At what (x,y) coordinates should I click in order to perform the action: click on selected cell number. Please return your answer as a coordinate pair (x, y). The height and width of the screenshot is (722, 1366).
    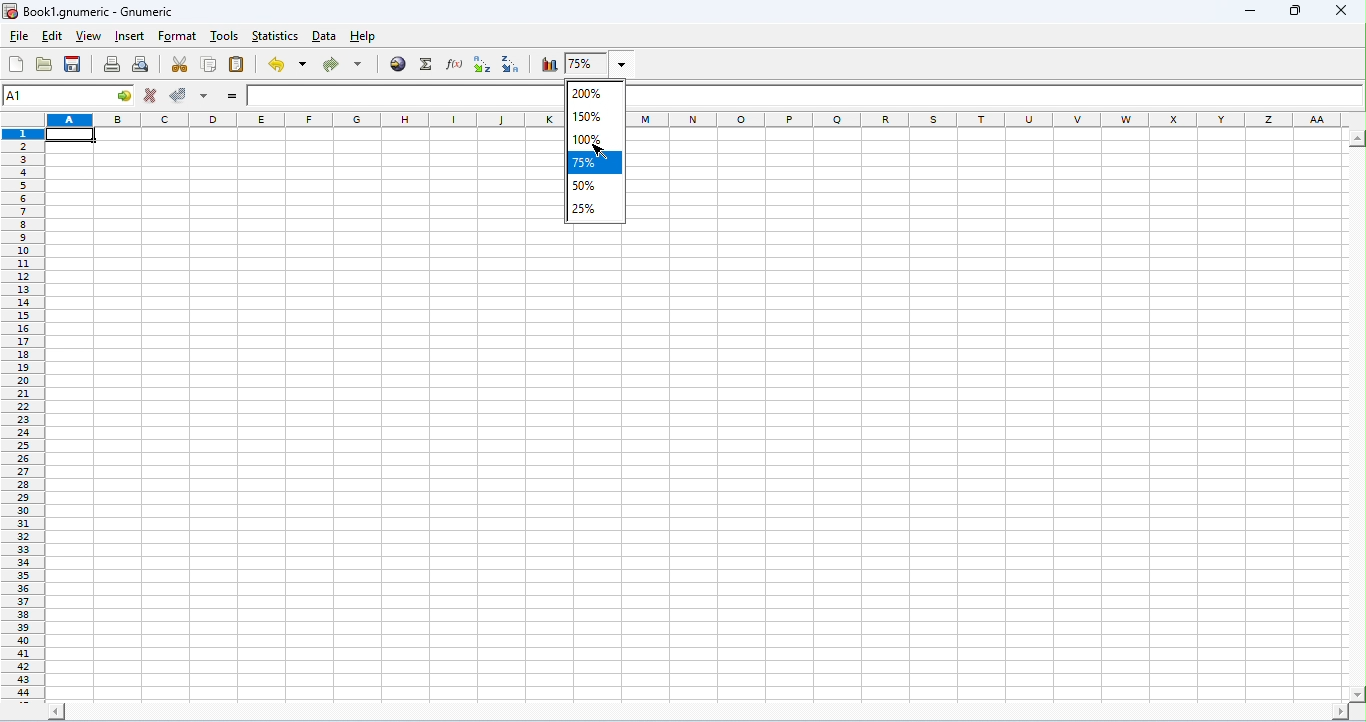
    Looking at the image, I should click on (55, 96).